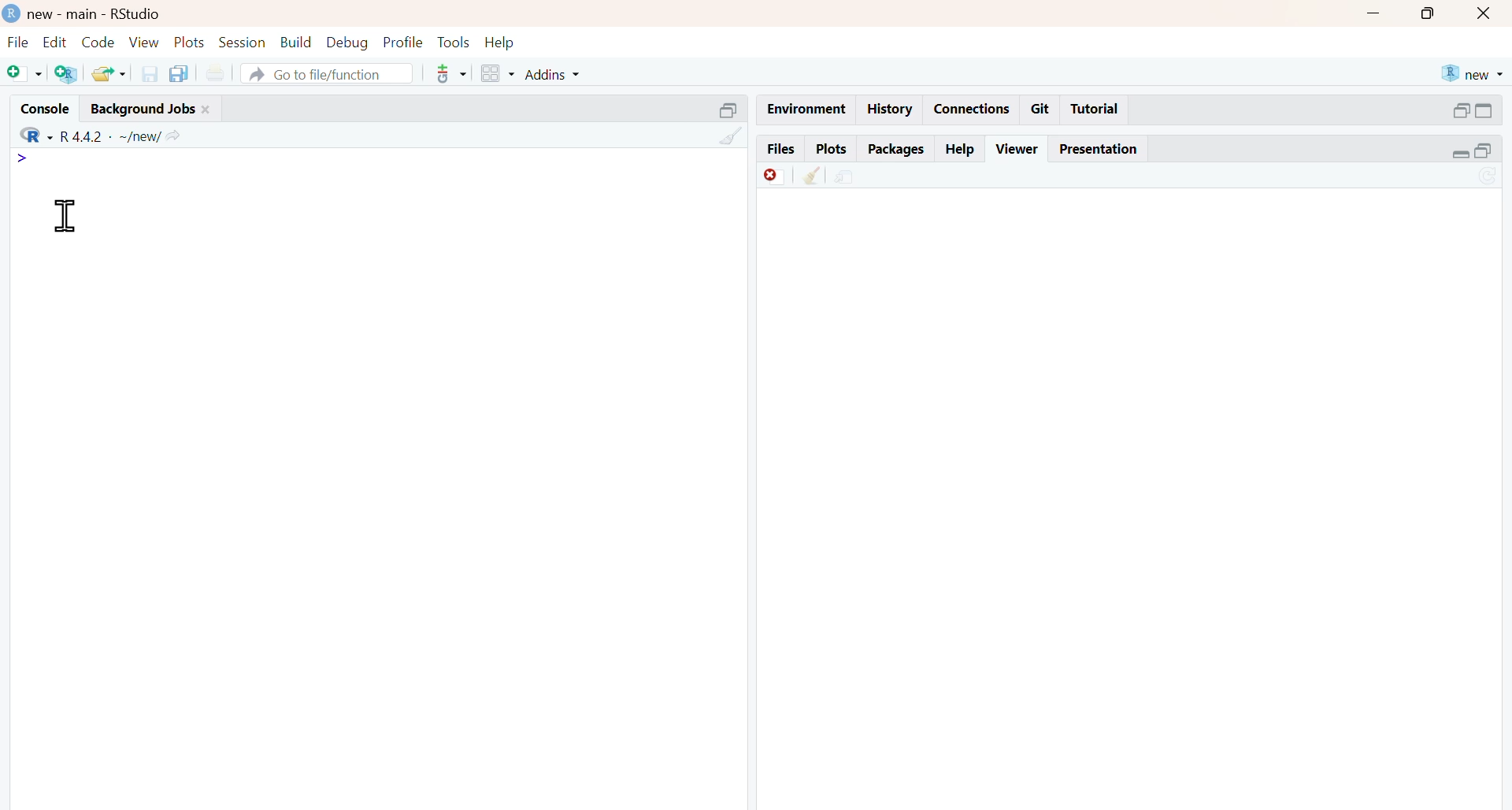 The width and height of the screenshot is (1512, 810). Describe the element at coordinates (553, 75) in the screenshot. I see `addins` at that location.